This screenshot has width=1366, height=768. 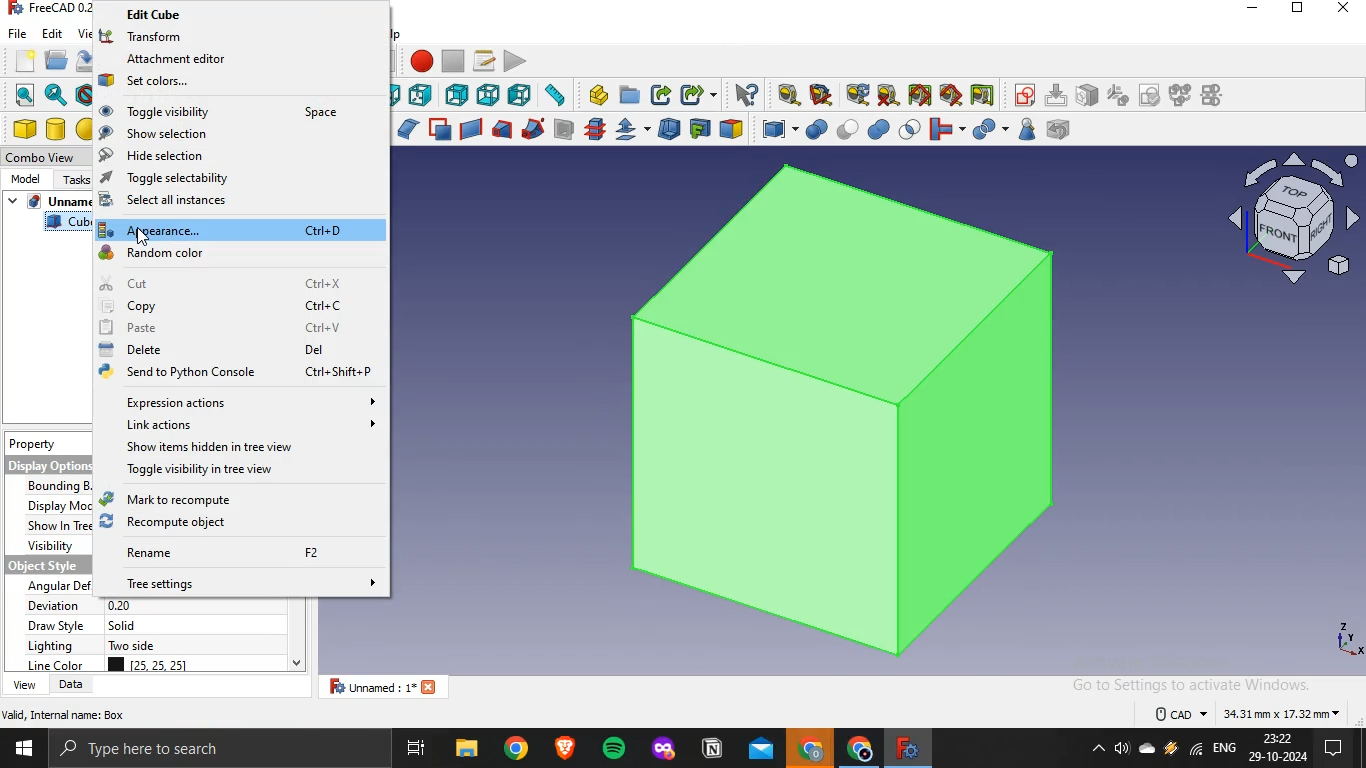 What do you see at coordinates (240, 424) in the screenshot?
I see `link actions` at bounding box center [240, 424].